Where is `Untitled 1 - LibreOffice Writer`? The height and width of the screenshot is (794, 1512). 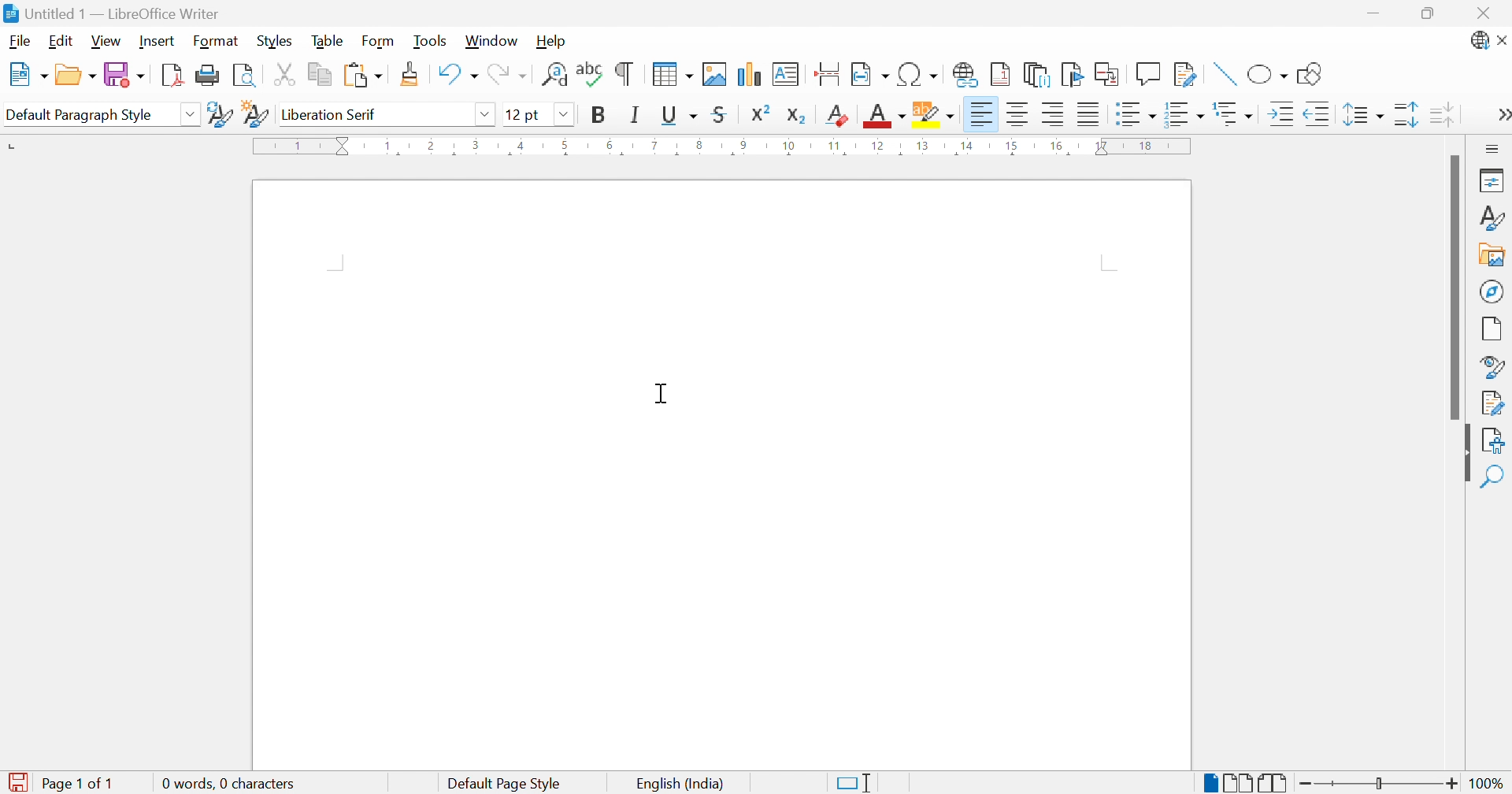 Untitled 1 - LibreOffice Writer is located at coordinates (109, 13).